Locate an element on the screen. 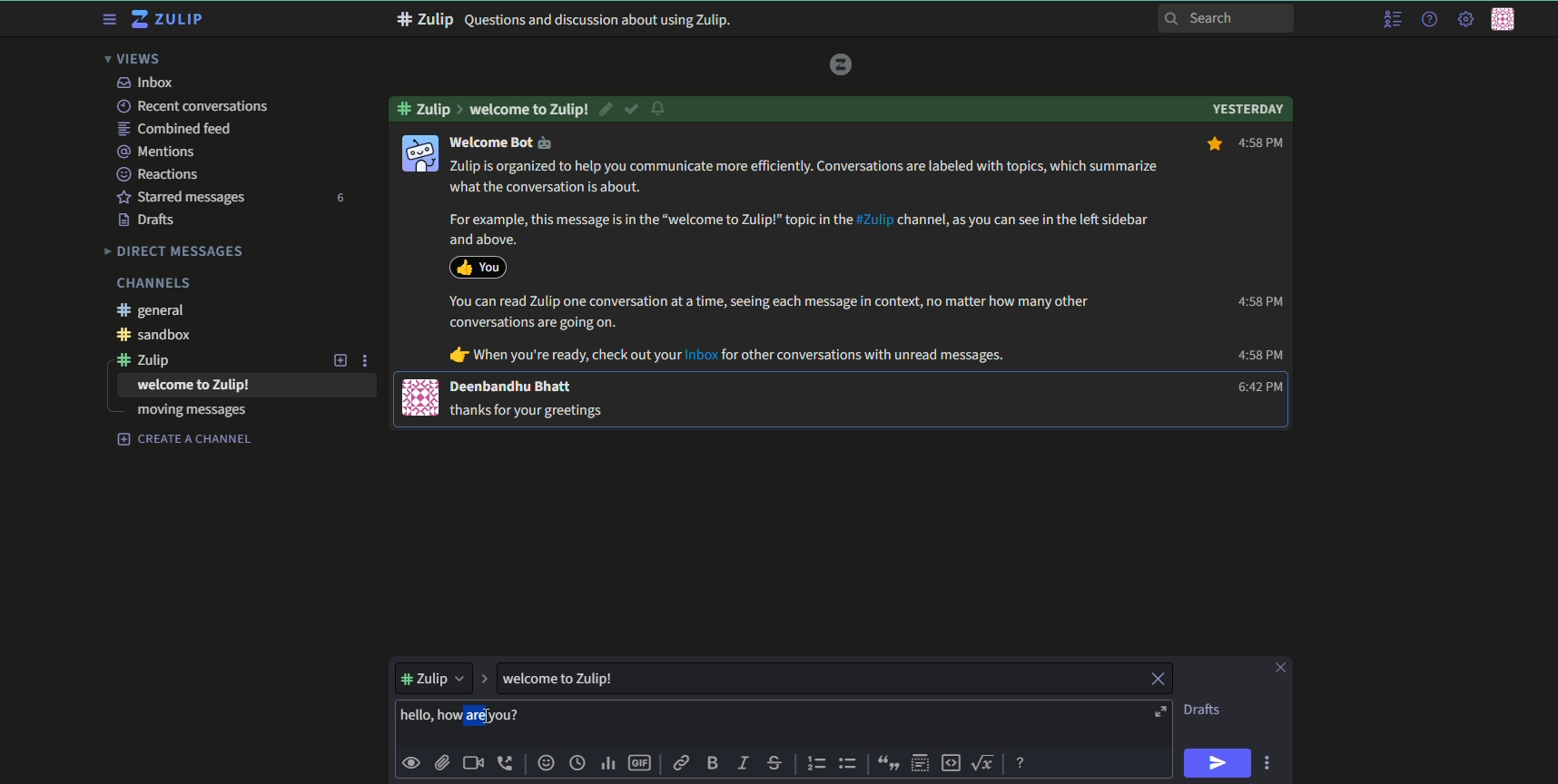  bold is located at coordinates (712, 764).